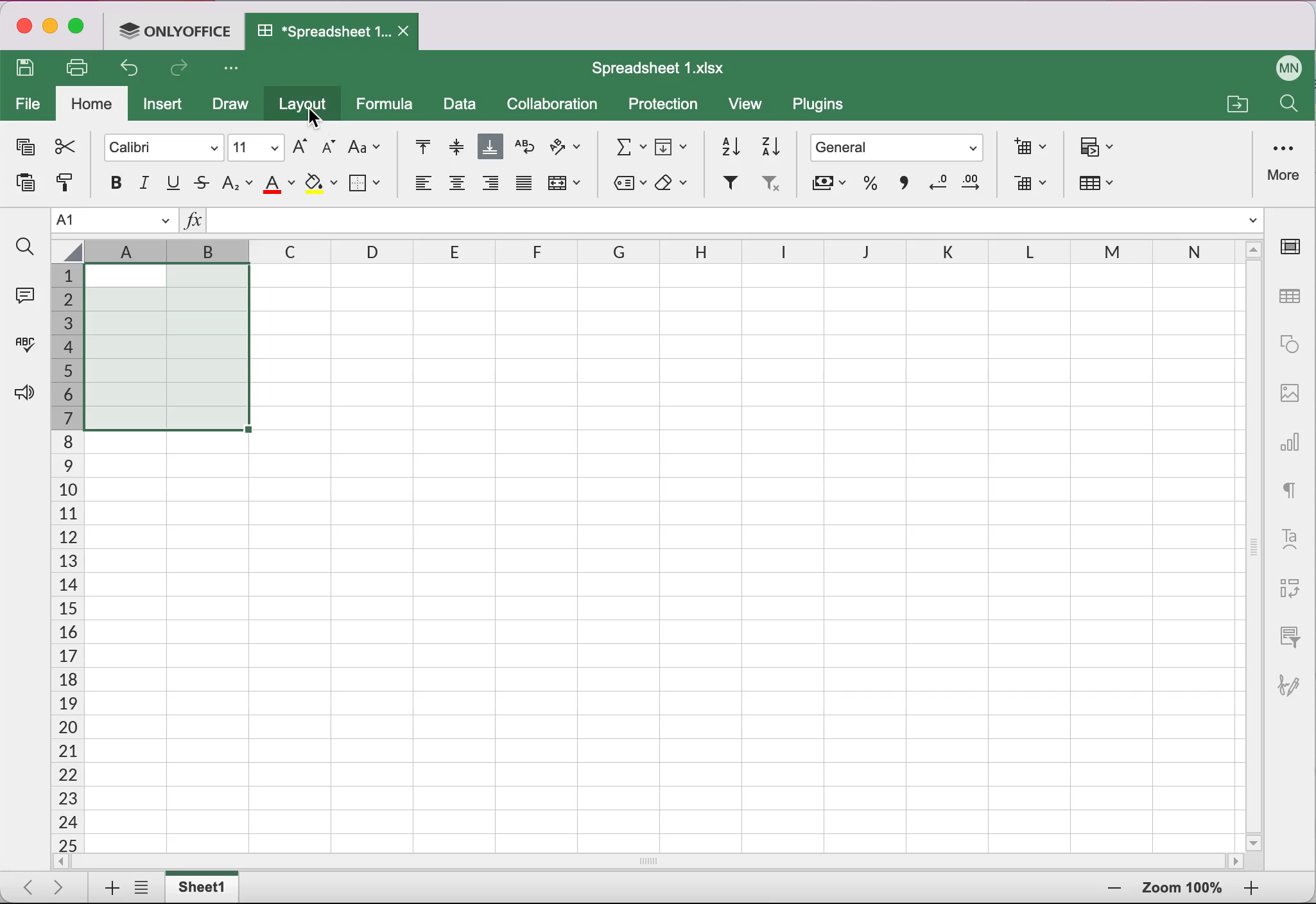  What do you see at coordinates (367, 182) in the screenshot?
I see `borders` at bounding box center [367, 182].